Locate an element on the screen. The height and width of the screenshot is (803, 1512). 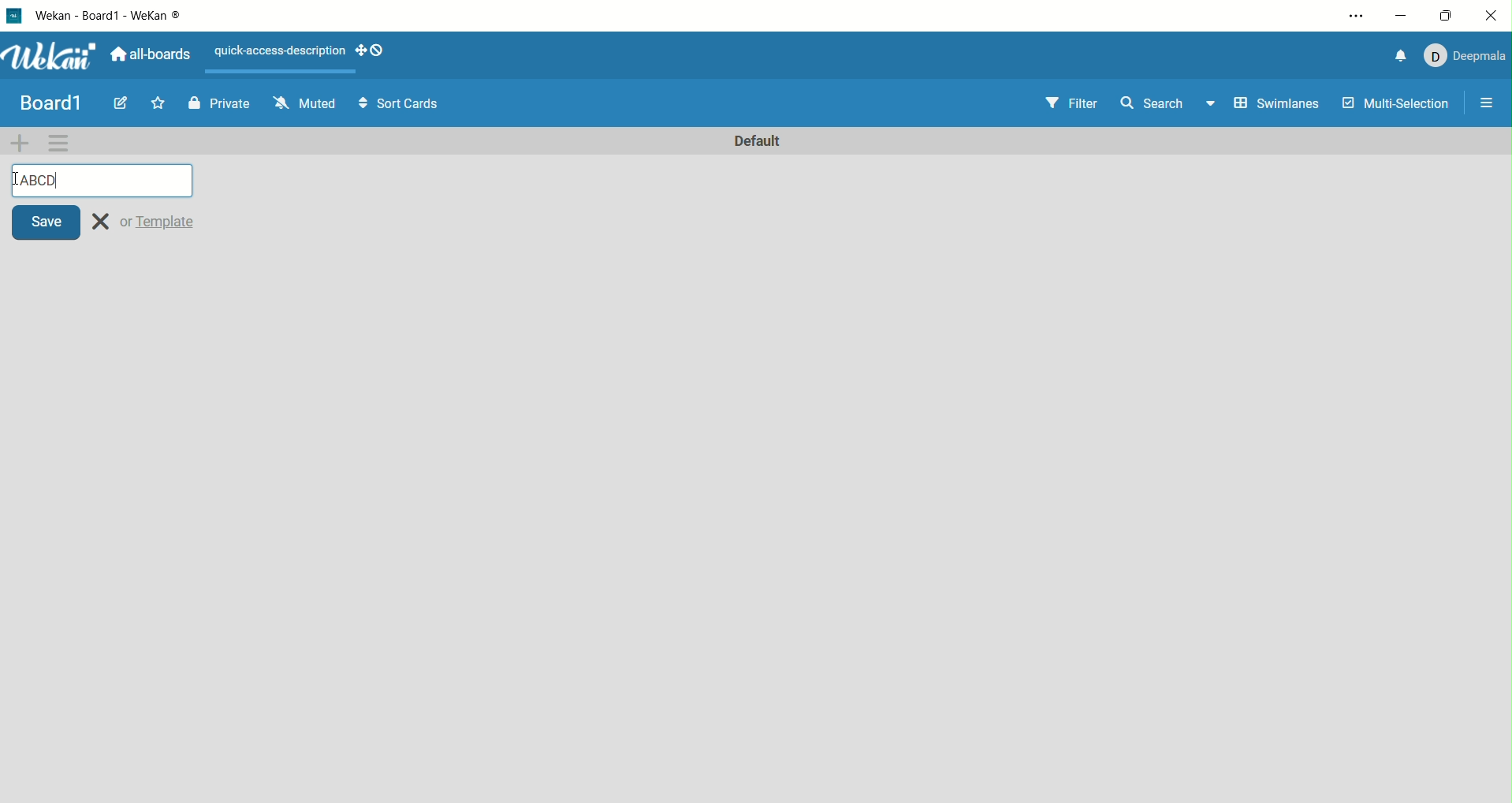
multi-selection is located at coordinates (1398, 104).